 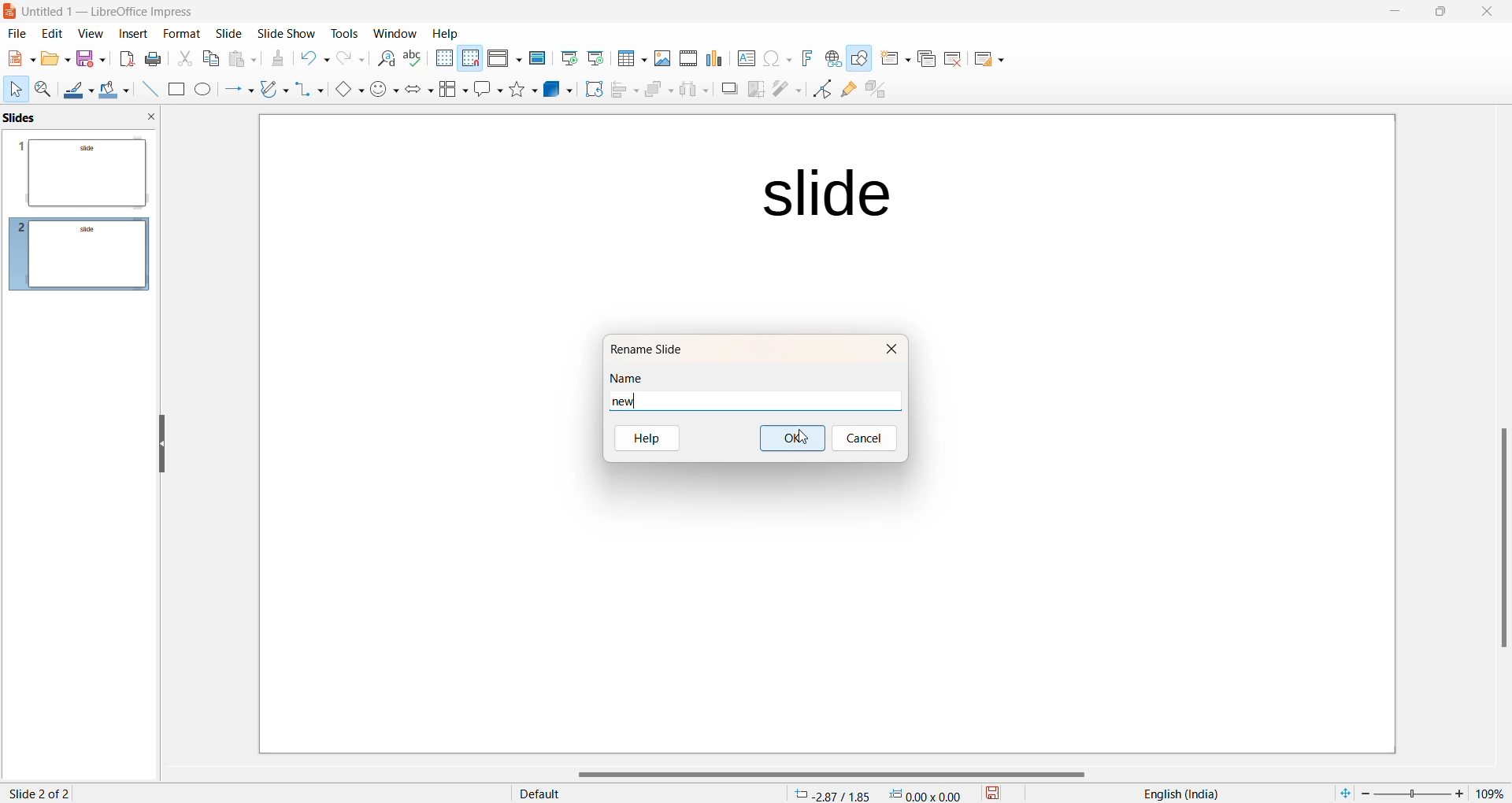 I want to click on Snap to grid, so click(x=471, y=58).